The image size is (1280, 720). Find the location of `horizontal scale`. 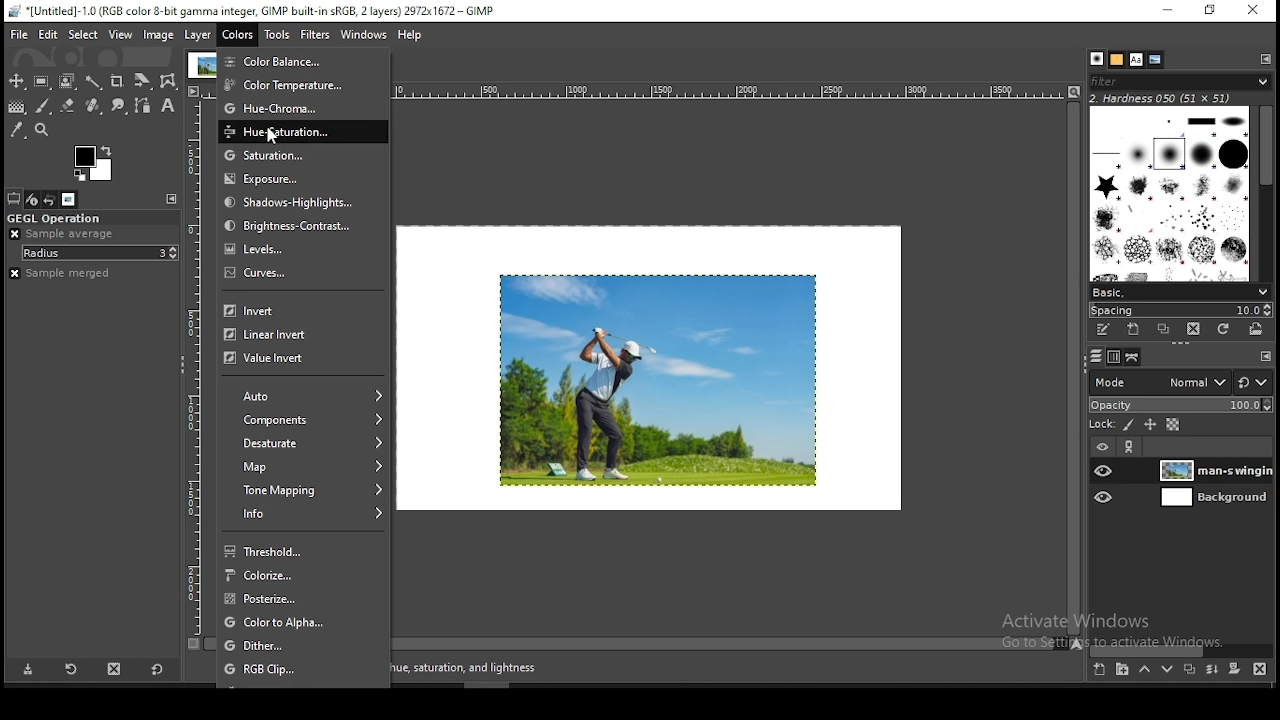

horizontal scale is located at coordinates (195, 369).